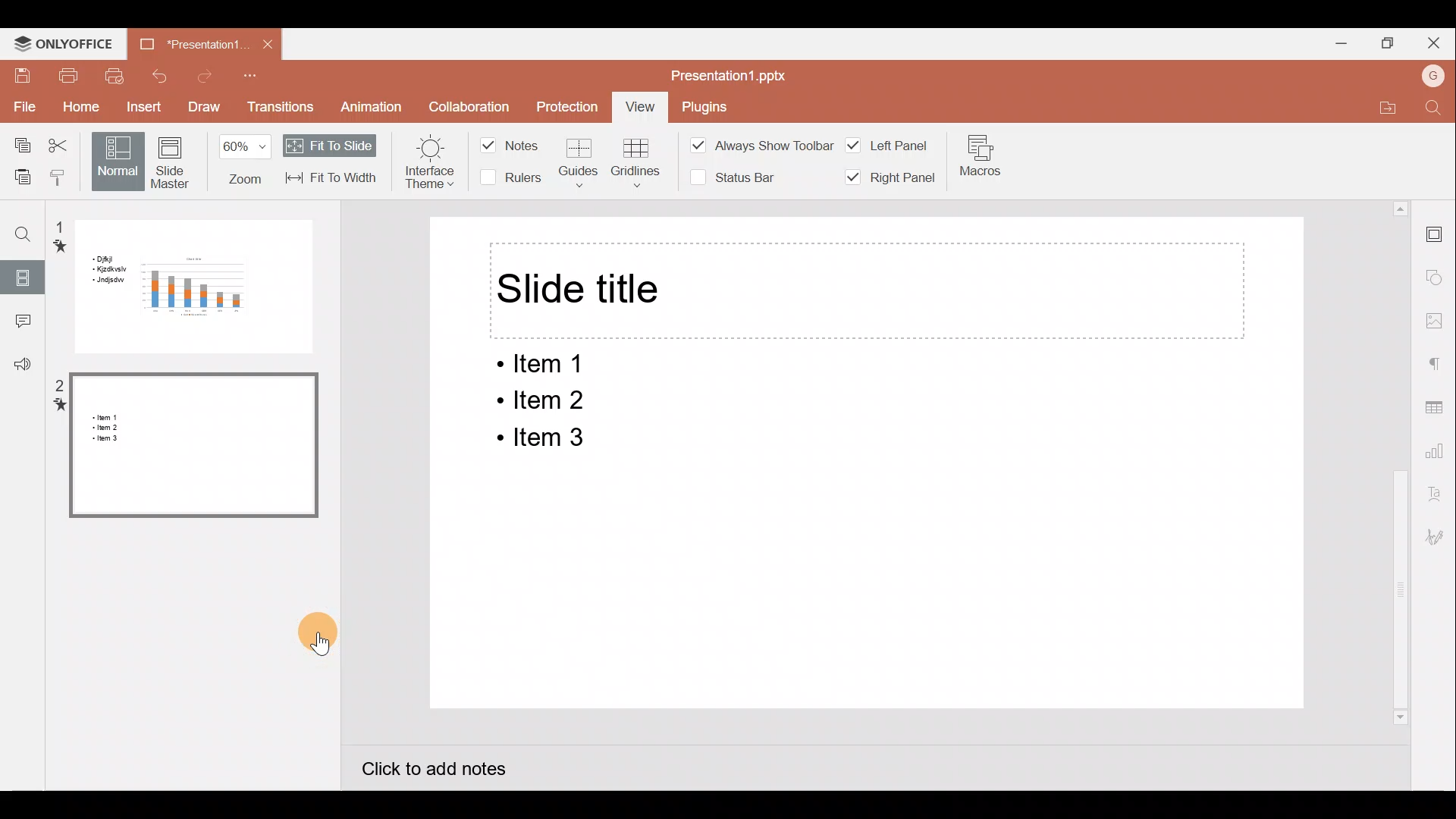 This screenshot has height=819, width=1456. What do you see at coordinates (639, 159) in the screenshot?
I see `Gridlines` at bounding box center [639, 159].